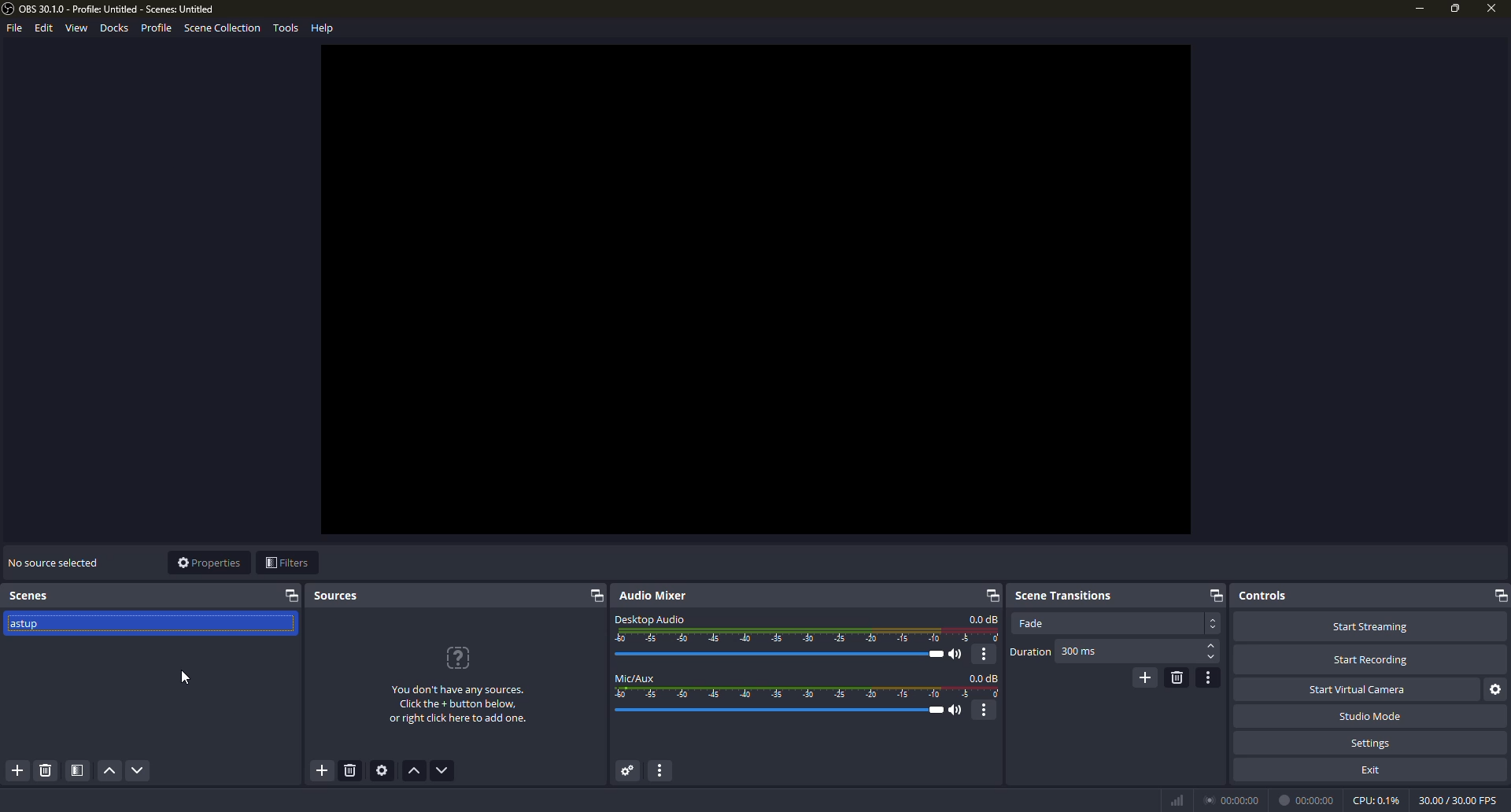 Image resolution: width=1511 pixels, height=812 pixels. What do you see at coordinates (1418, 9) in the screenshot?
I see `minimize` at bounding box center [1418, 9].